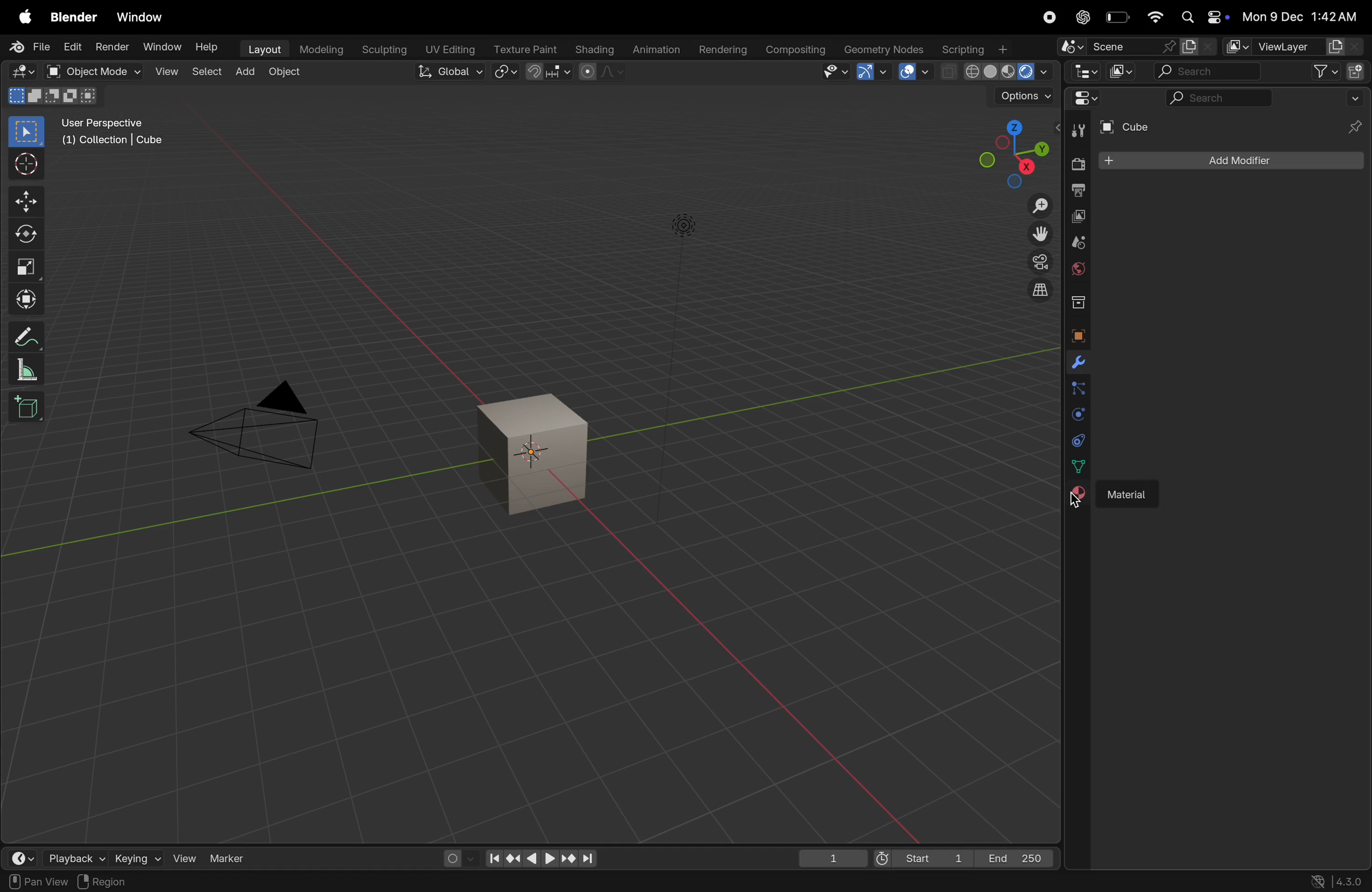 This screenshot has width=1372, height=892. What do you see at coordinates (916, 72) in the screenshot?
I see `show overlays` at bounding box center [916, 72].